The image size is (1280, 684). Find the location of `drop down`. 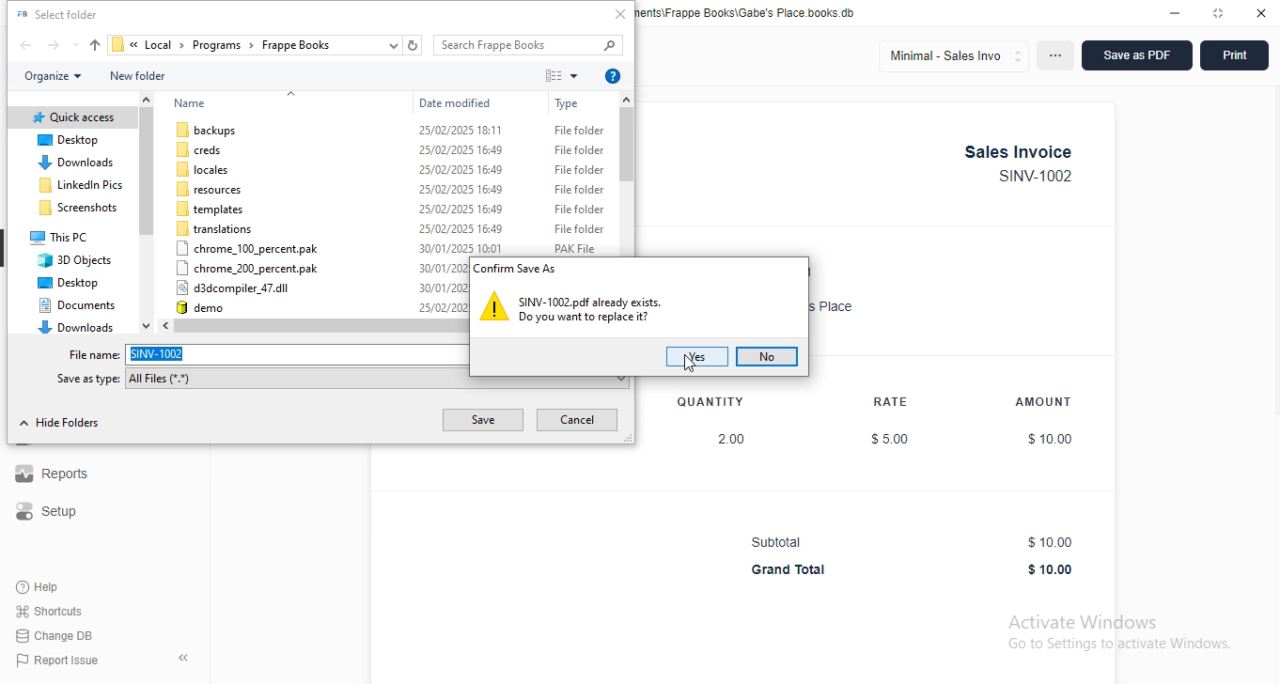

drop down is located at coordinates (339, 45).